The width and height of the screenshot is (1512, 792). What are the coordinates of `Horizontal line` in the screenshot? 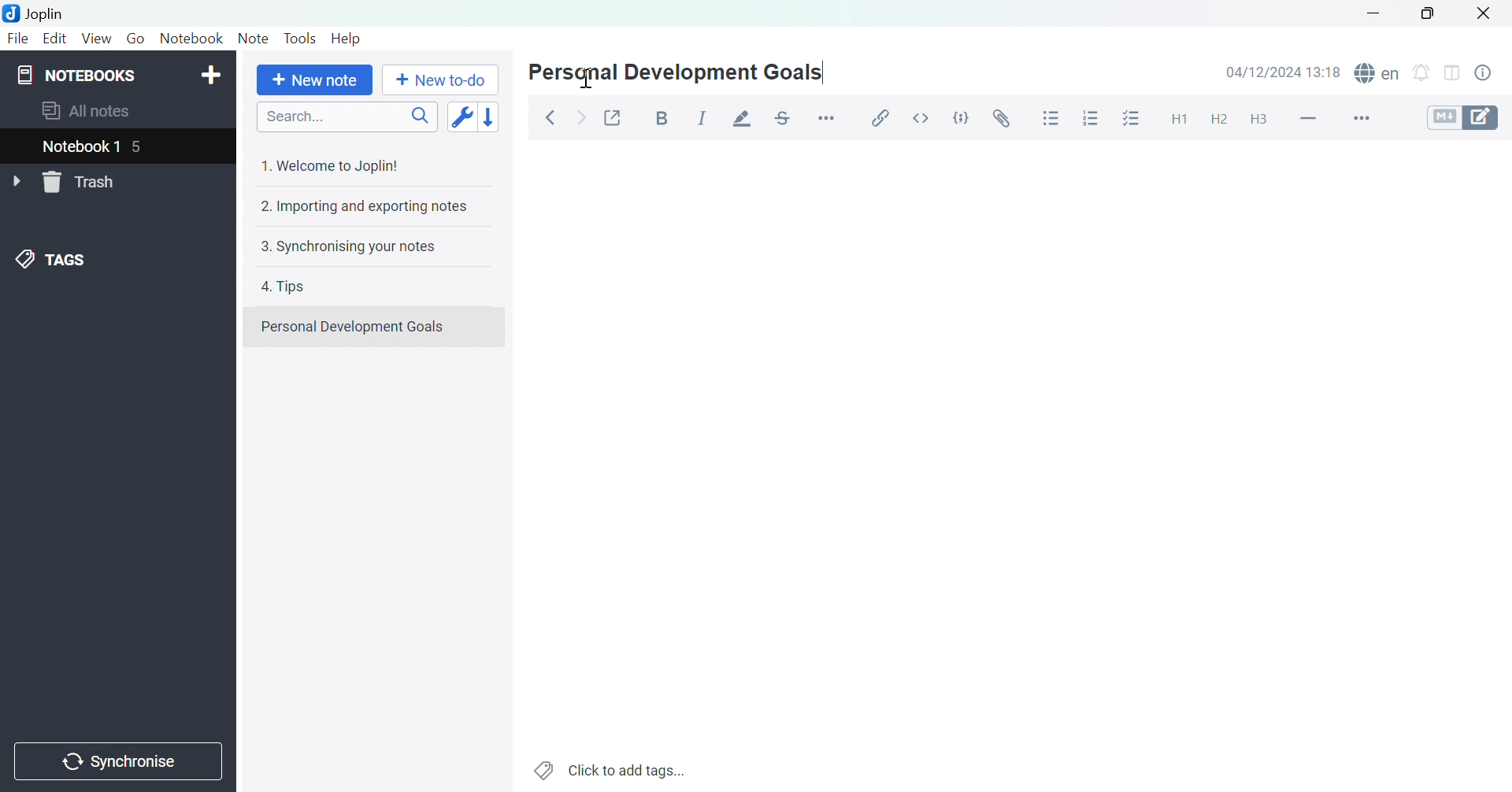 It's located at (1308, 118).